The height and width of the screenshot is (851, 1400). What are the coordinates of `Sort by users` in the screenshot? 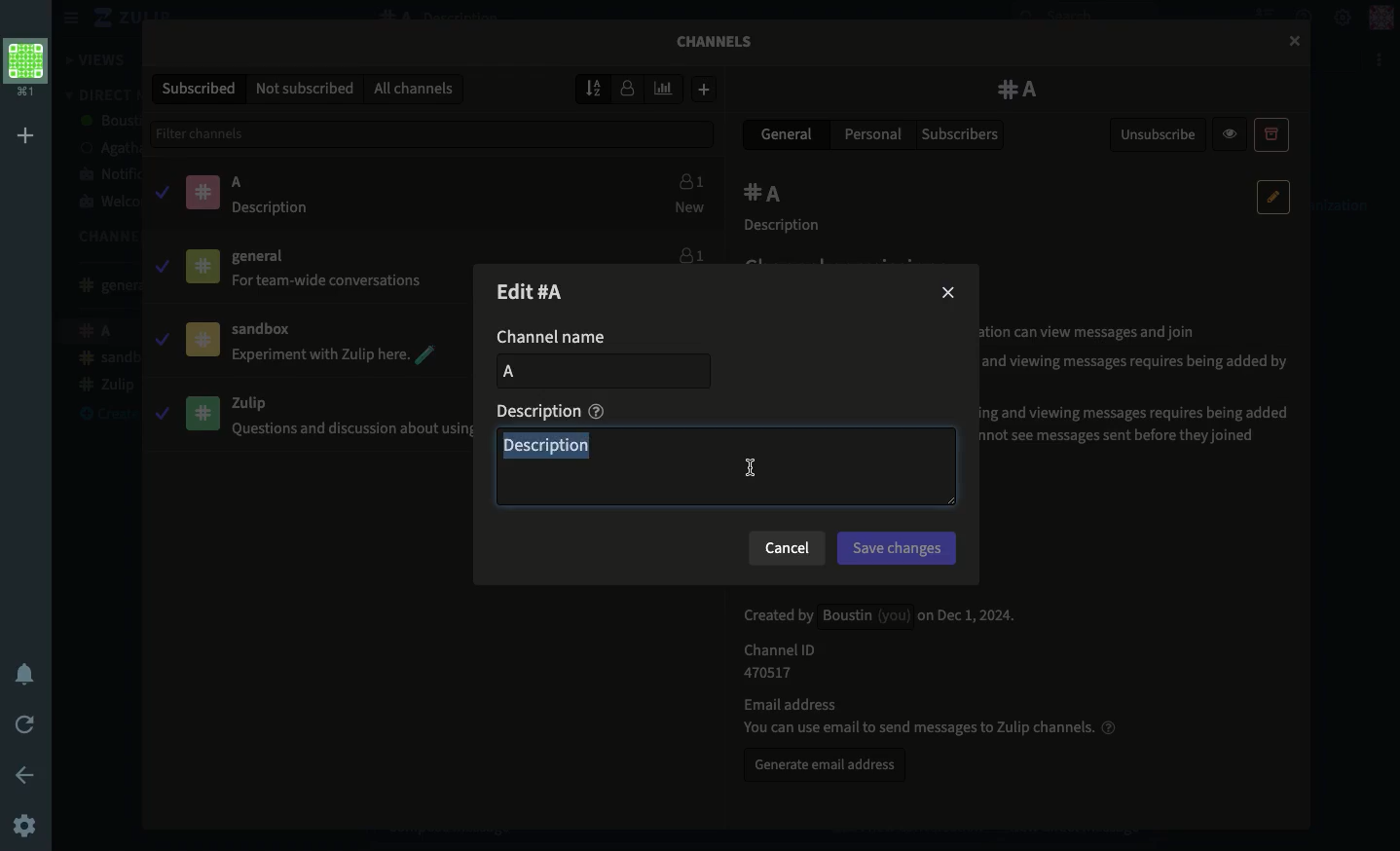 It's located at (628, 87).